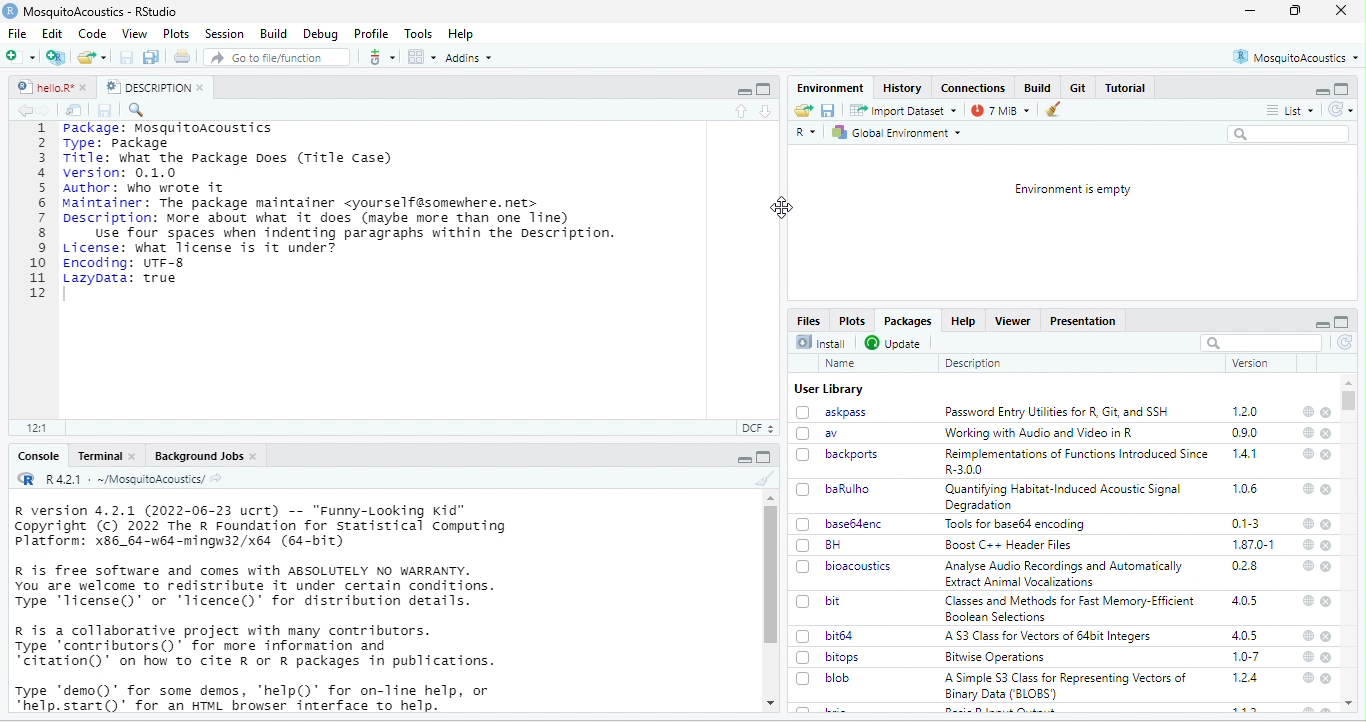  I want to click on 0.2.8, so click(1246, 567).